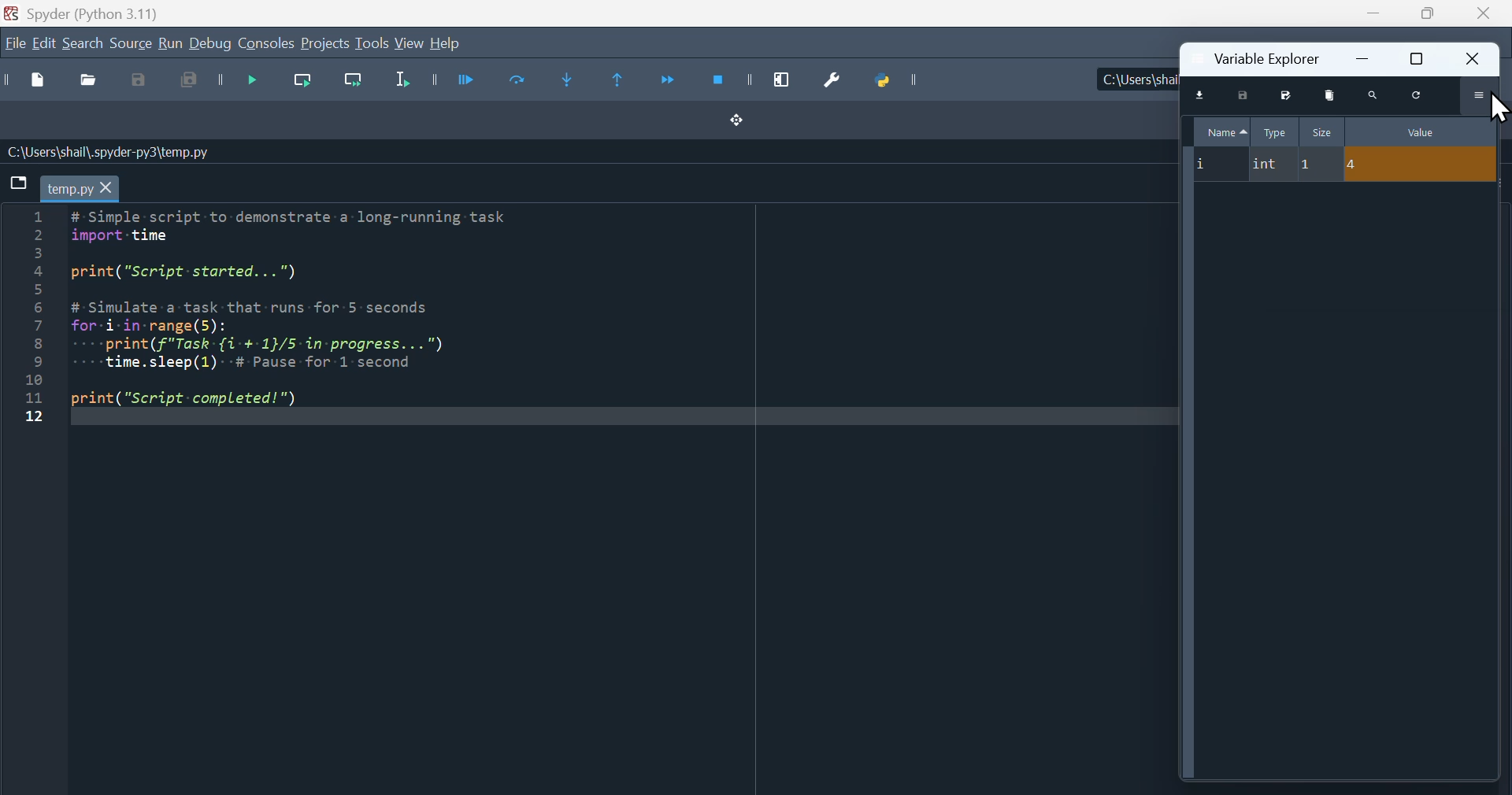 This screenshot has width=1512, height=795. Describe the element at coordinates (1501, 106) in the screenshot. I see `Cursor` at that location.